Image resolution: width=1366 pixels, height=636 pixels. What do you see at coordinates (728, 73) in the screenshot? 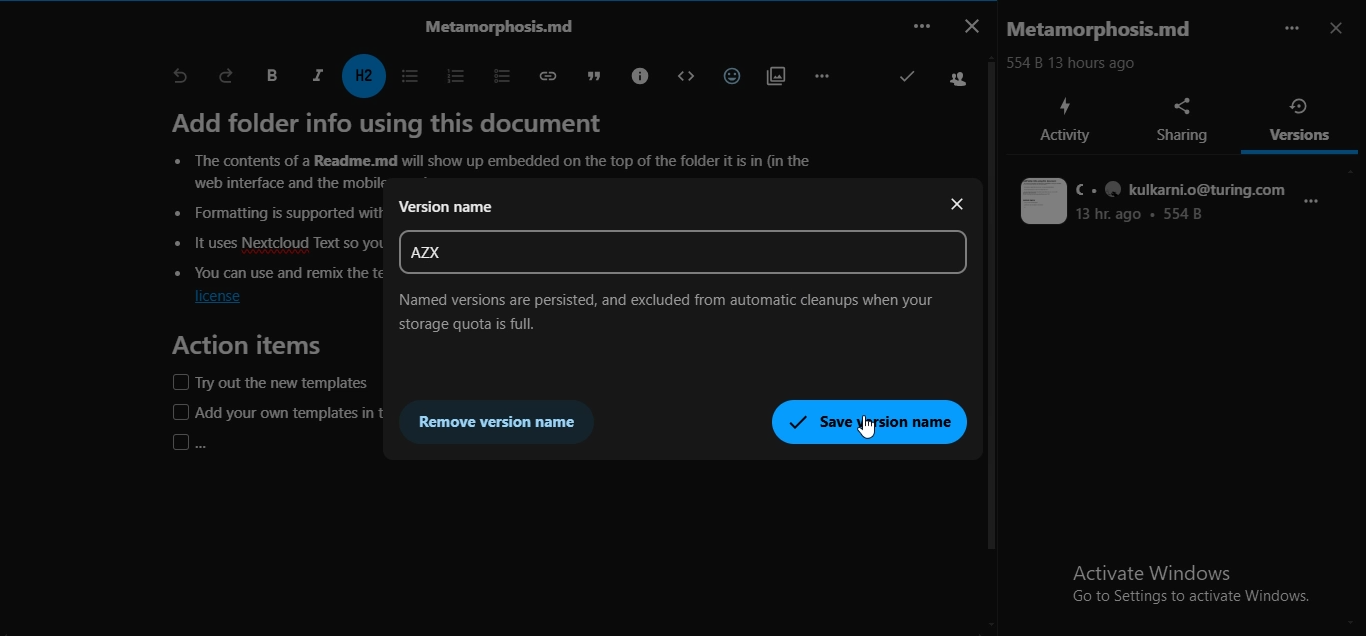
I see `insert emoji` at bounding box center [728, 73].